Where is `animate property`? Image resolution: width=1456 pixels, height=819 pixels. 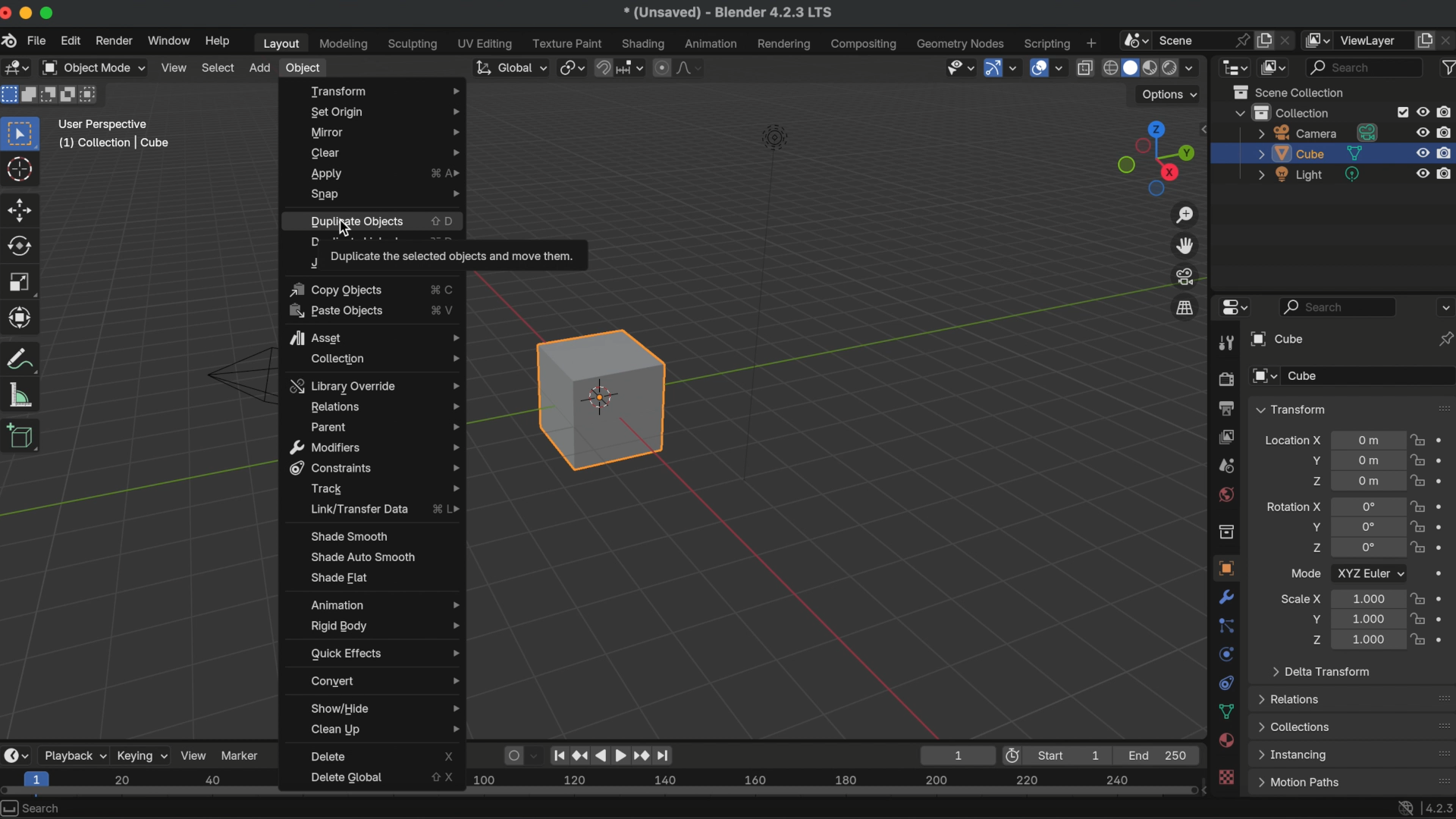 animate property is located at coordinates (1444, 460).